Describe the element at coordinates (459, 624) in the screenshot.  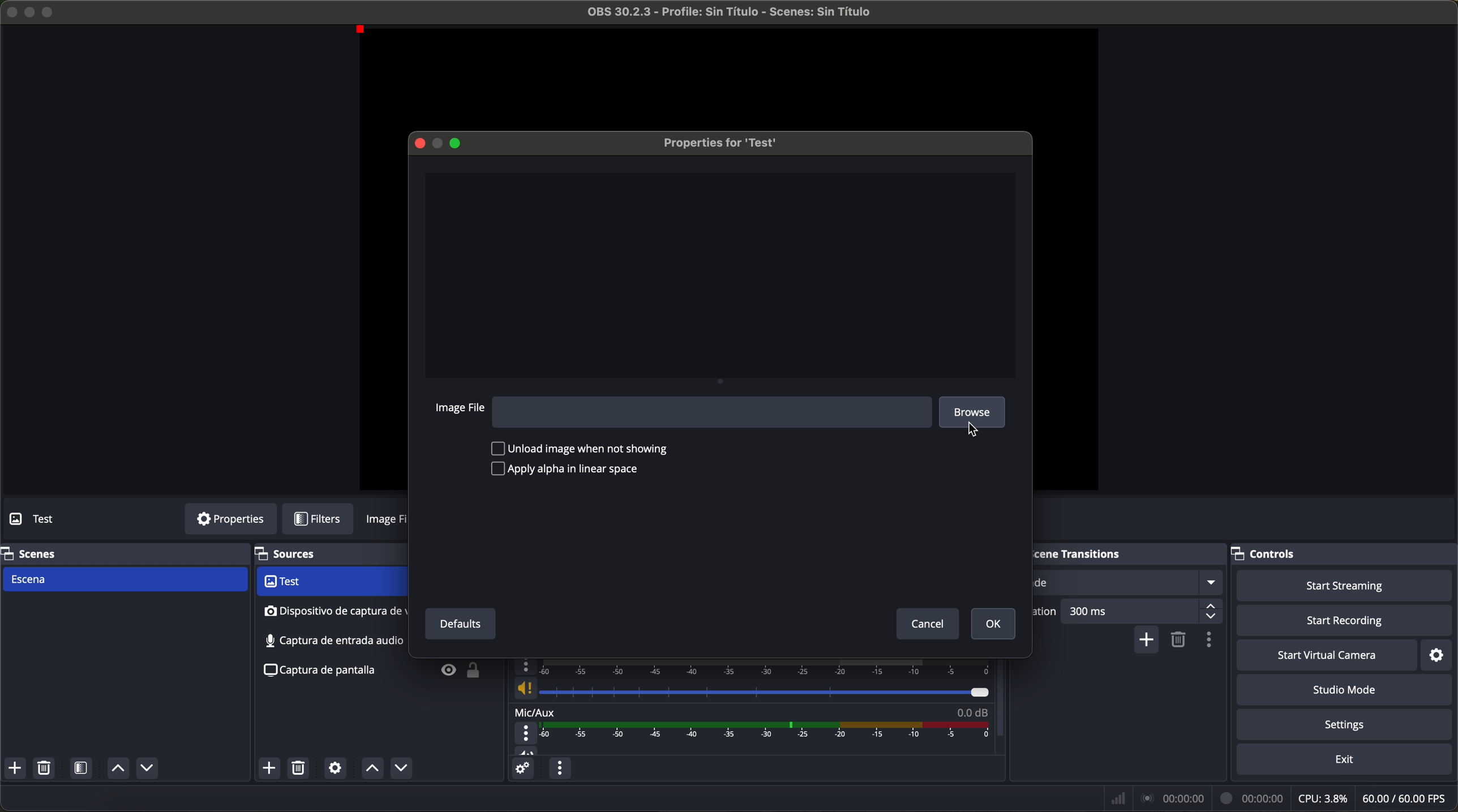
I see `defaults` at that location.